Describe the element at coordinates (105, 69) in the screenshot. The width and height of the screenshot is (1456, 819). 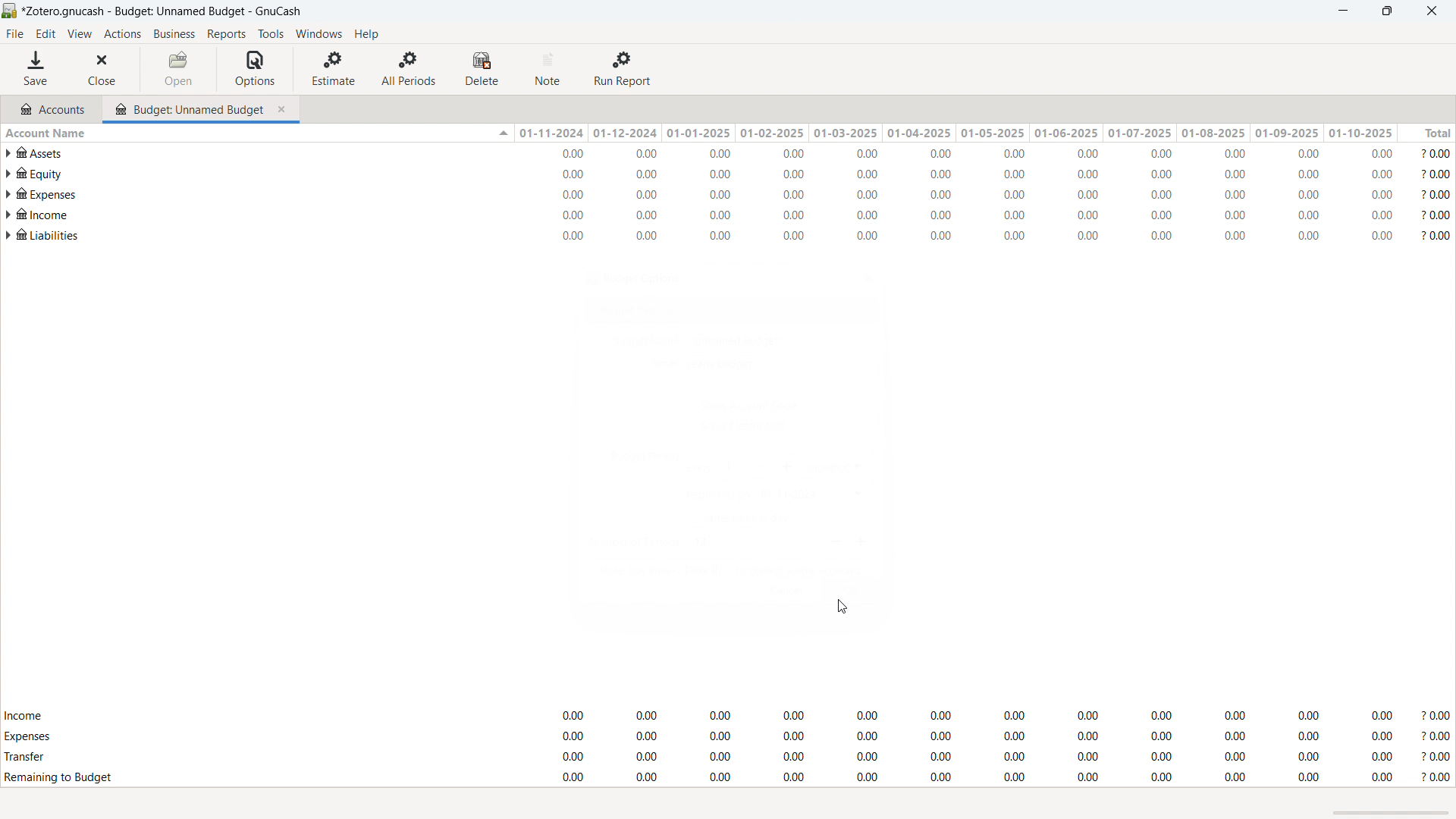
I see `close` at that location.